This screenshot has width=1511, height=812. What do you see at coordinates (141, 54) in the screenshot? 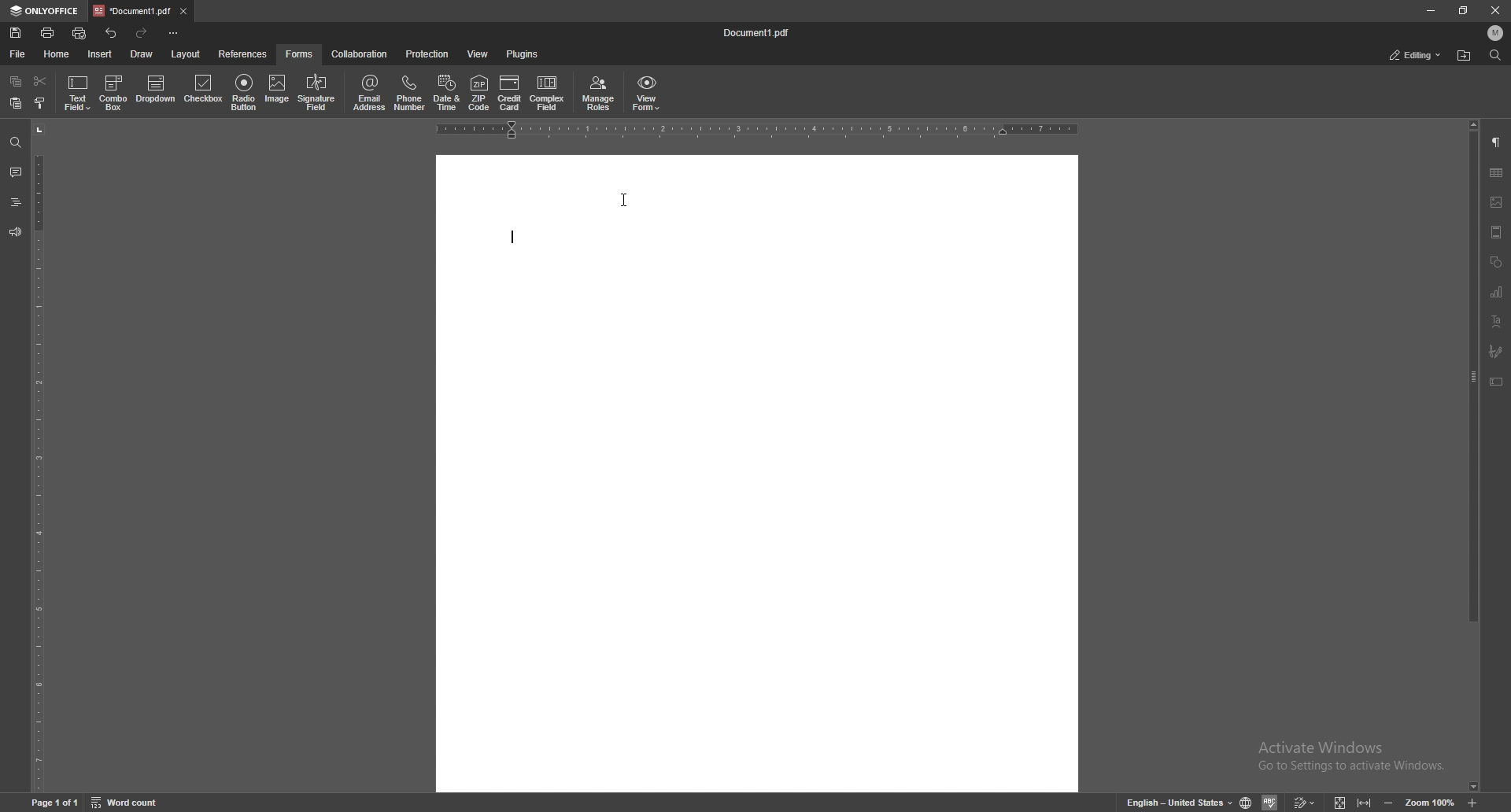
I see `draw` at bounding box center [141, 54].